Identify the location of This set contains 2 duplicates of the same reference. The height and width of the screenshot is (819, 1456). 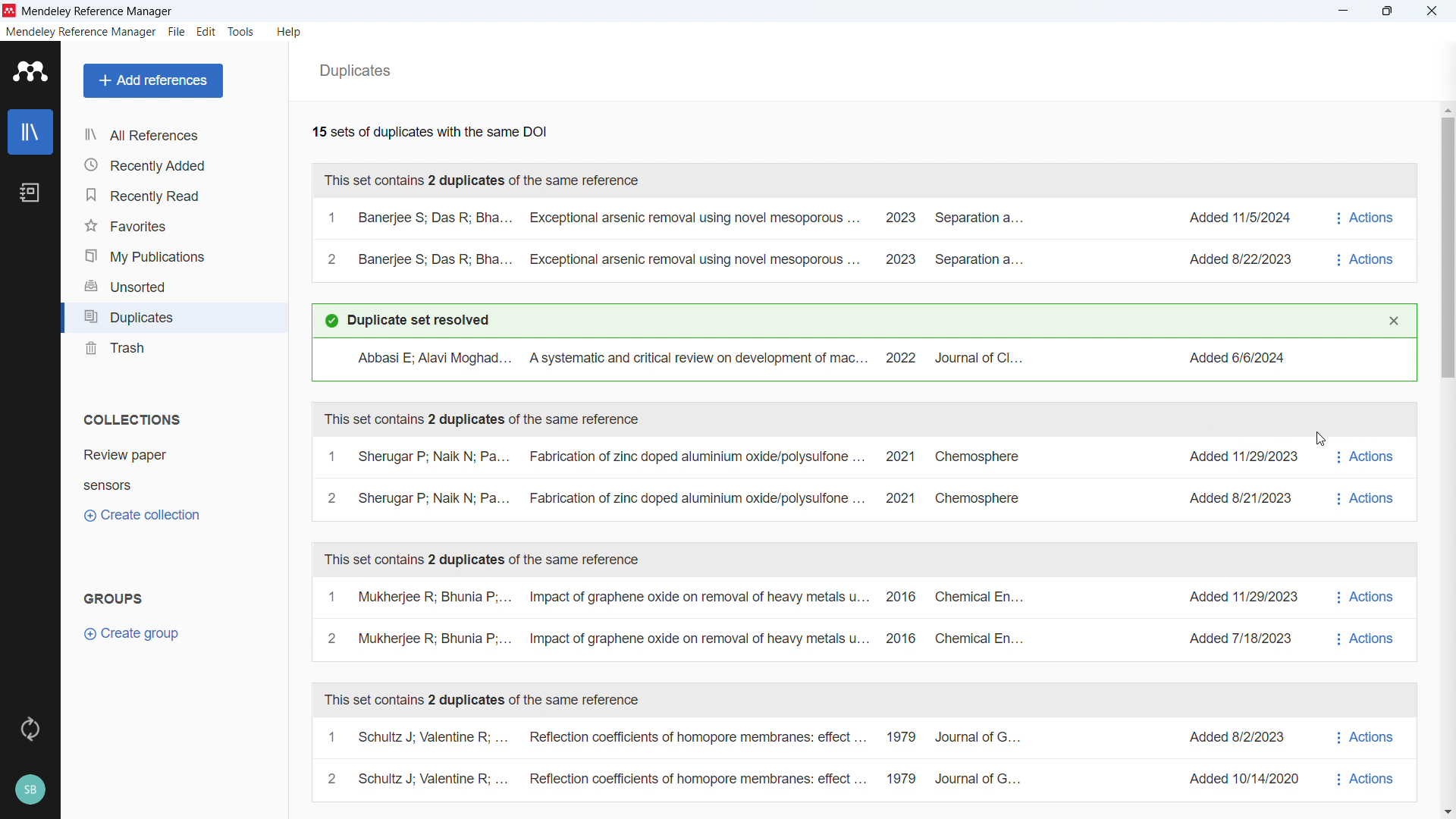
(489, 560).